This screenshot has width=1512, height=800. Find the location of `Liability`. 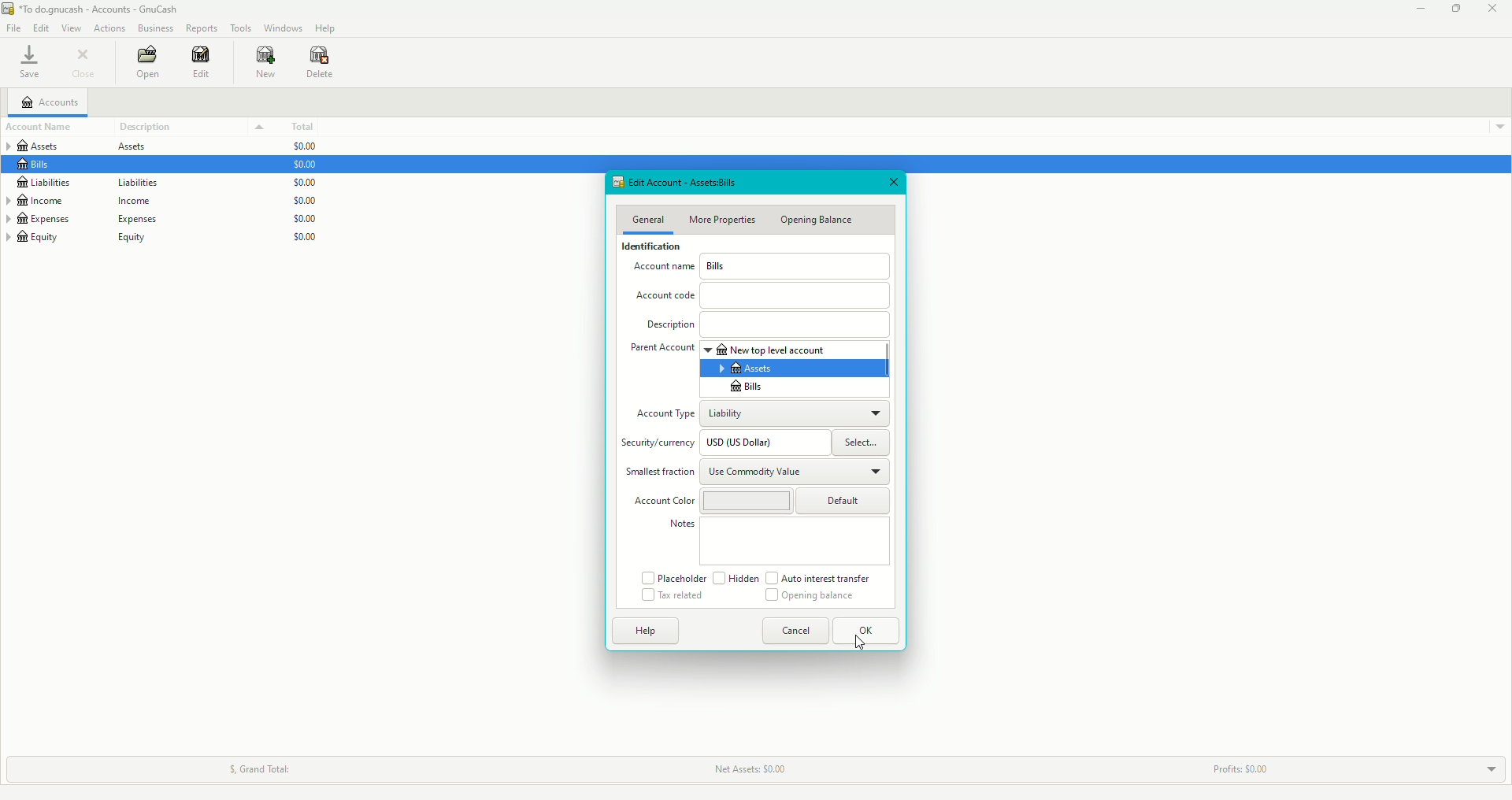

Liability is located at coordinates (795, 412).